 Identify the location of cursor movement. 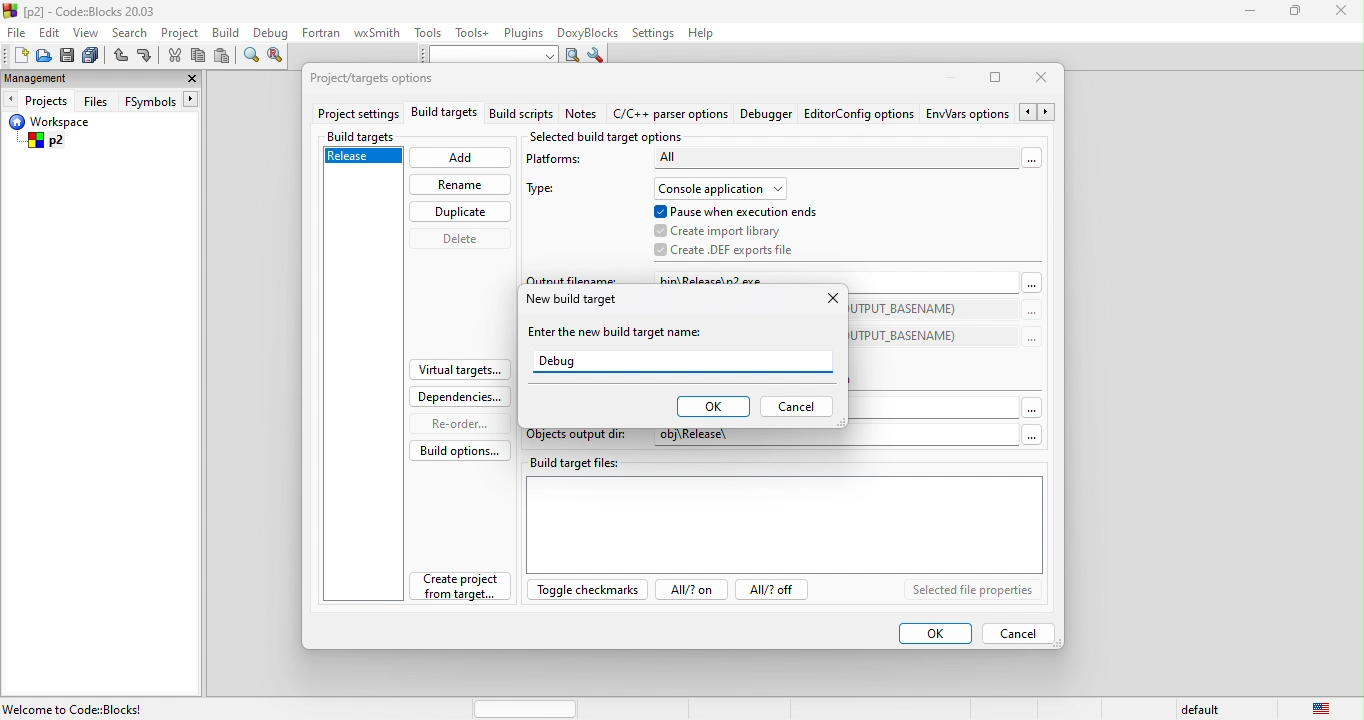
(446, 161).